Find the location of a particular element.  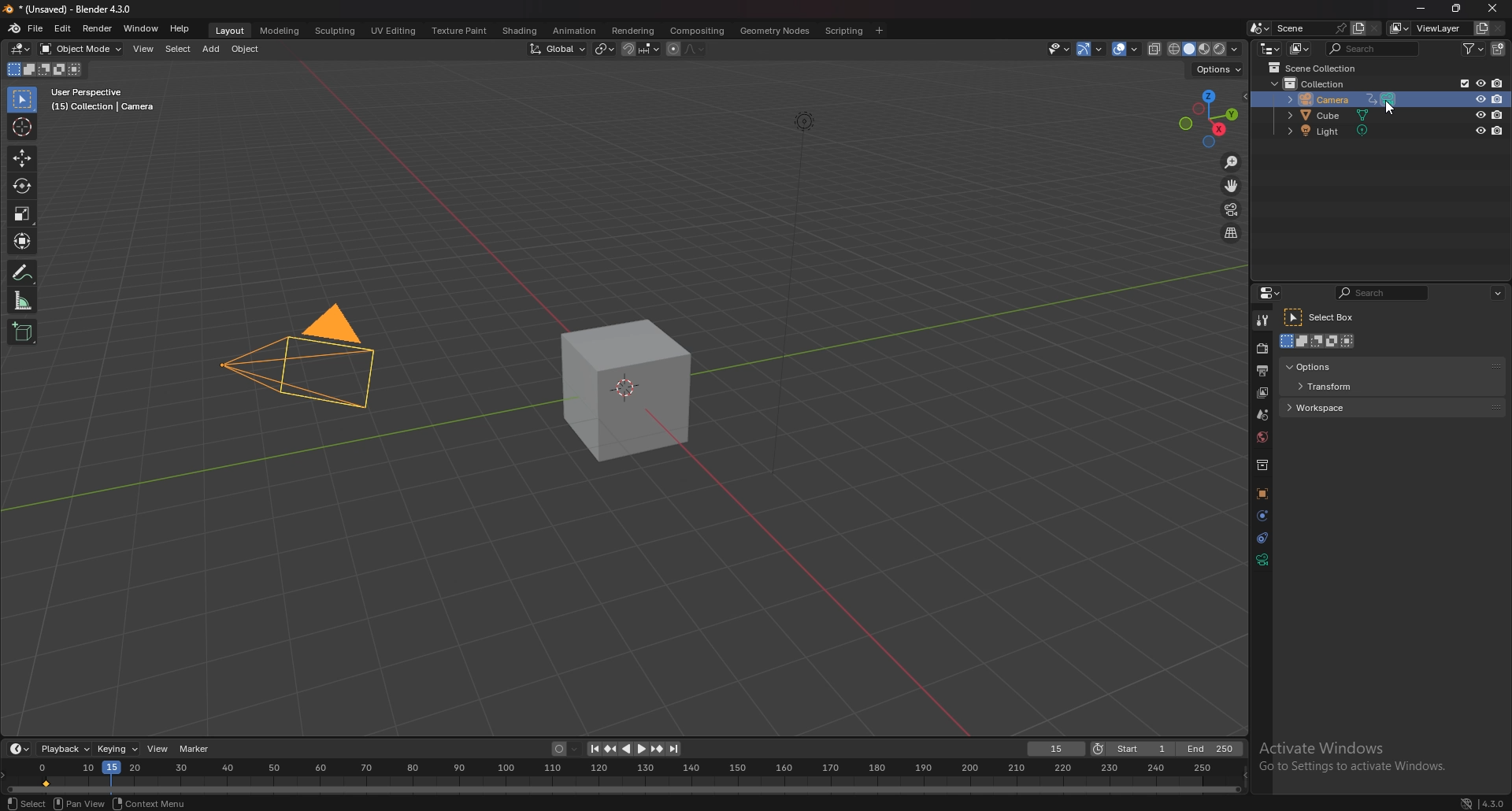

search is located at coordinates (1373, 48).